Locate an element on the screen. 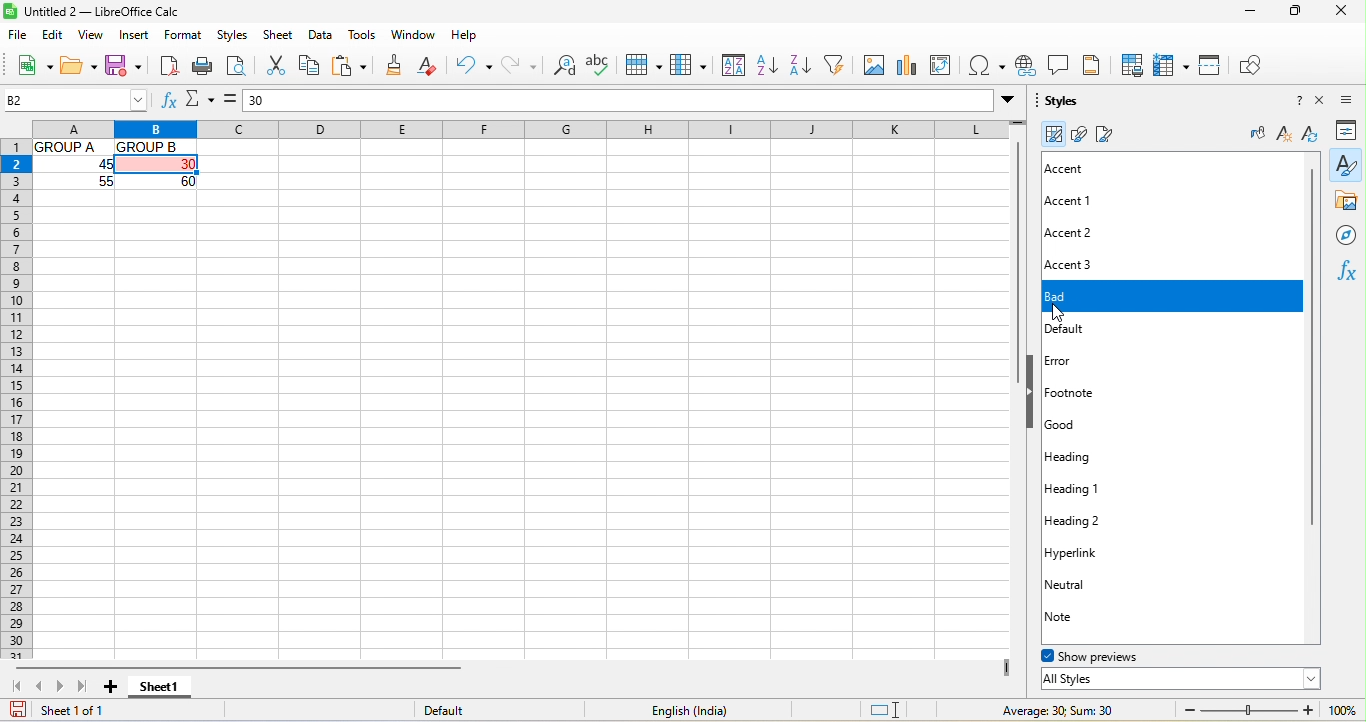 This screenshot has height=722, width=1366. hide is located at coordinates (1034, 393).